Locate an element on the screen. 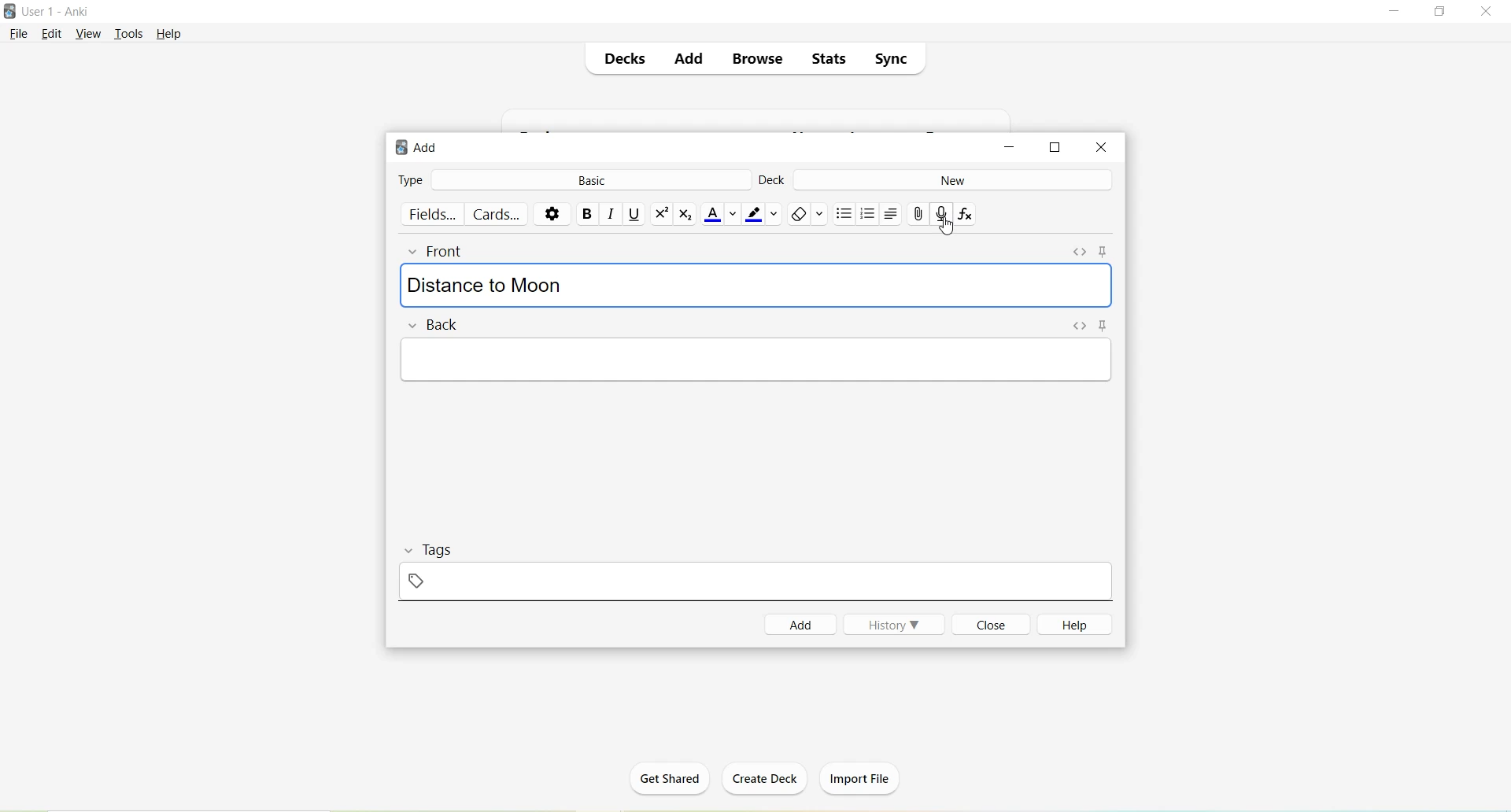  Add Tag is located at coordinates (418, 581).